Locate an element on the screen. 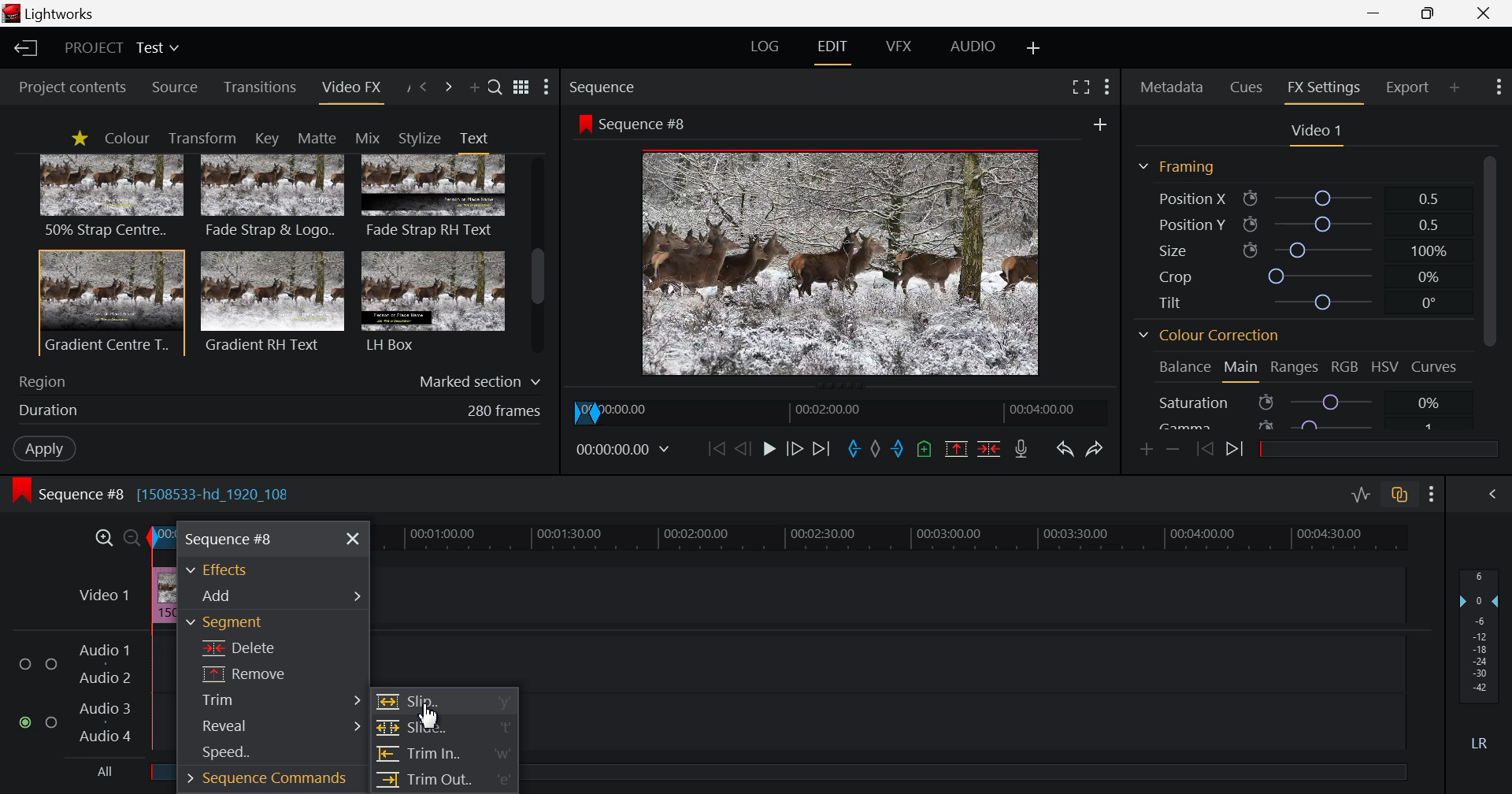  audio 2 is located at coordinates (107, 678).